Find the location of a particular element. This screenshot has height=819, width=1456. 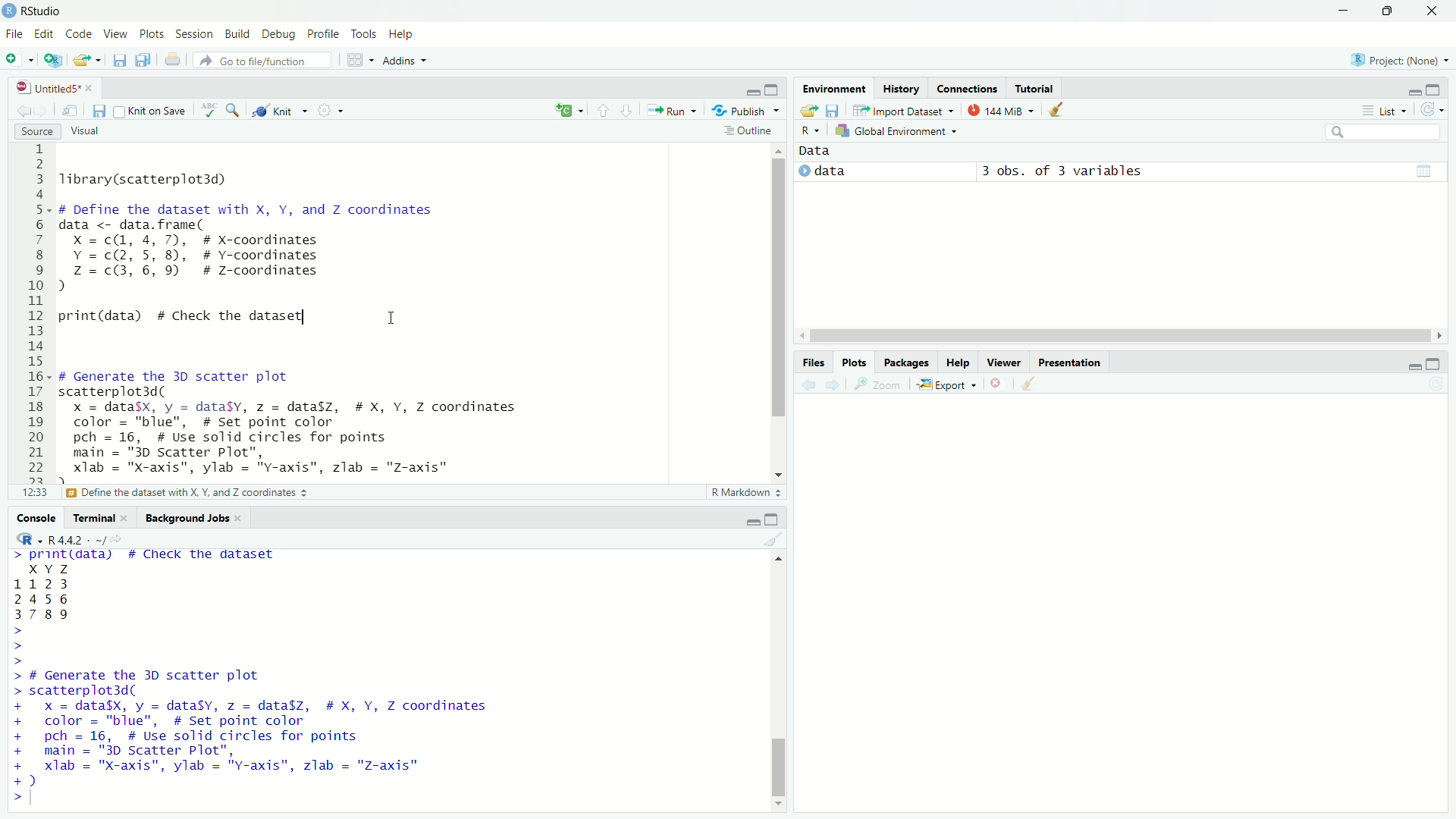

outline is located at coordinates (751, 130).